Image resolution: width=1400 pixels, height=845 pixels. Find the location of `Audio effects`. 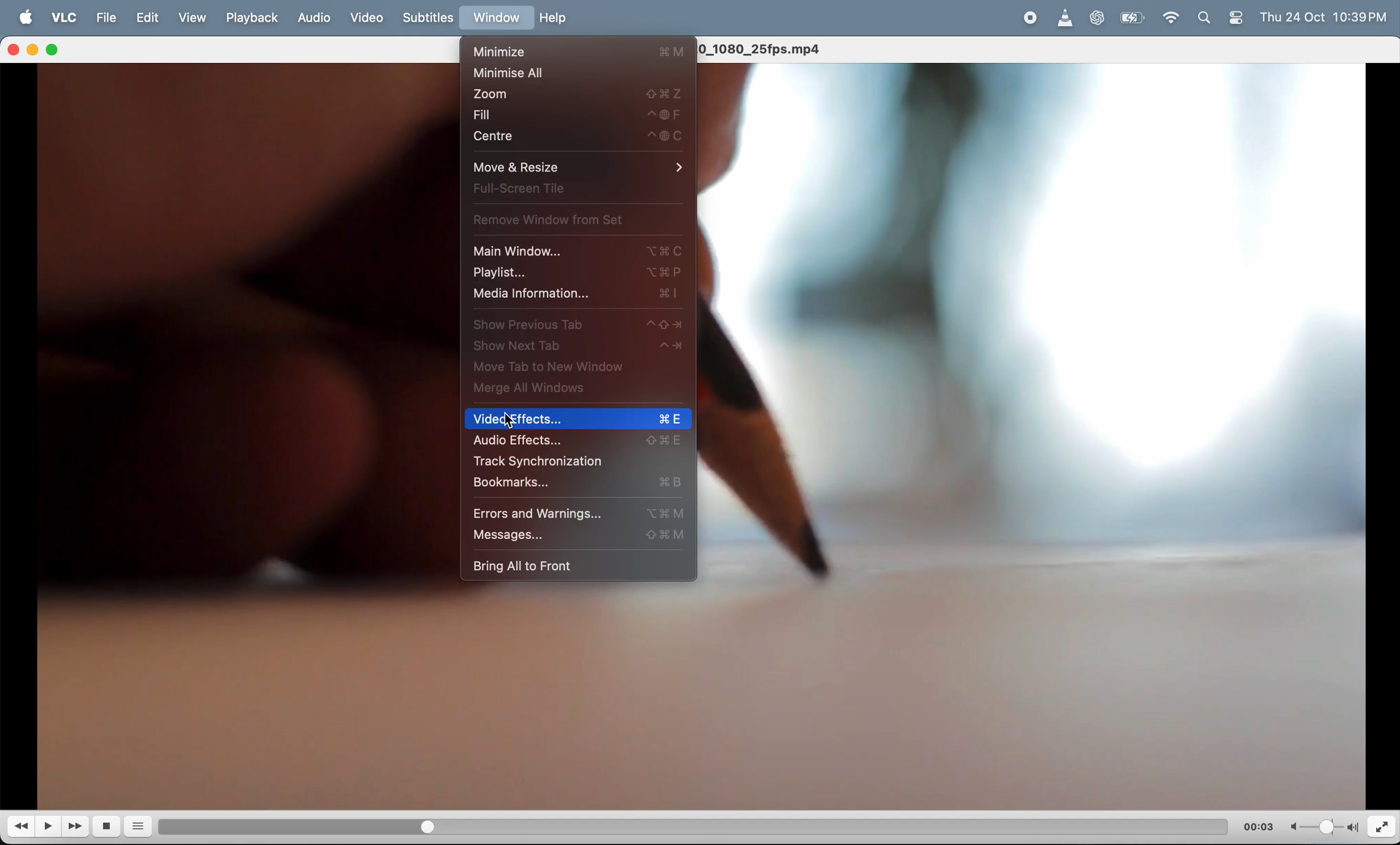

Audio effects is located at coordinates (577, 442).